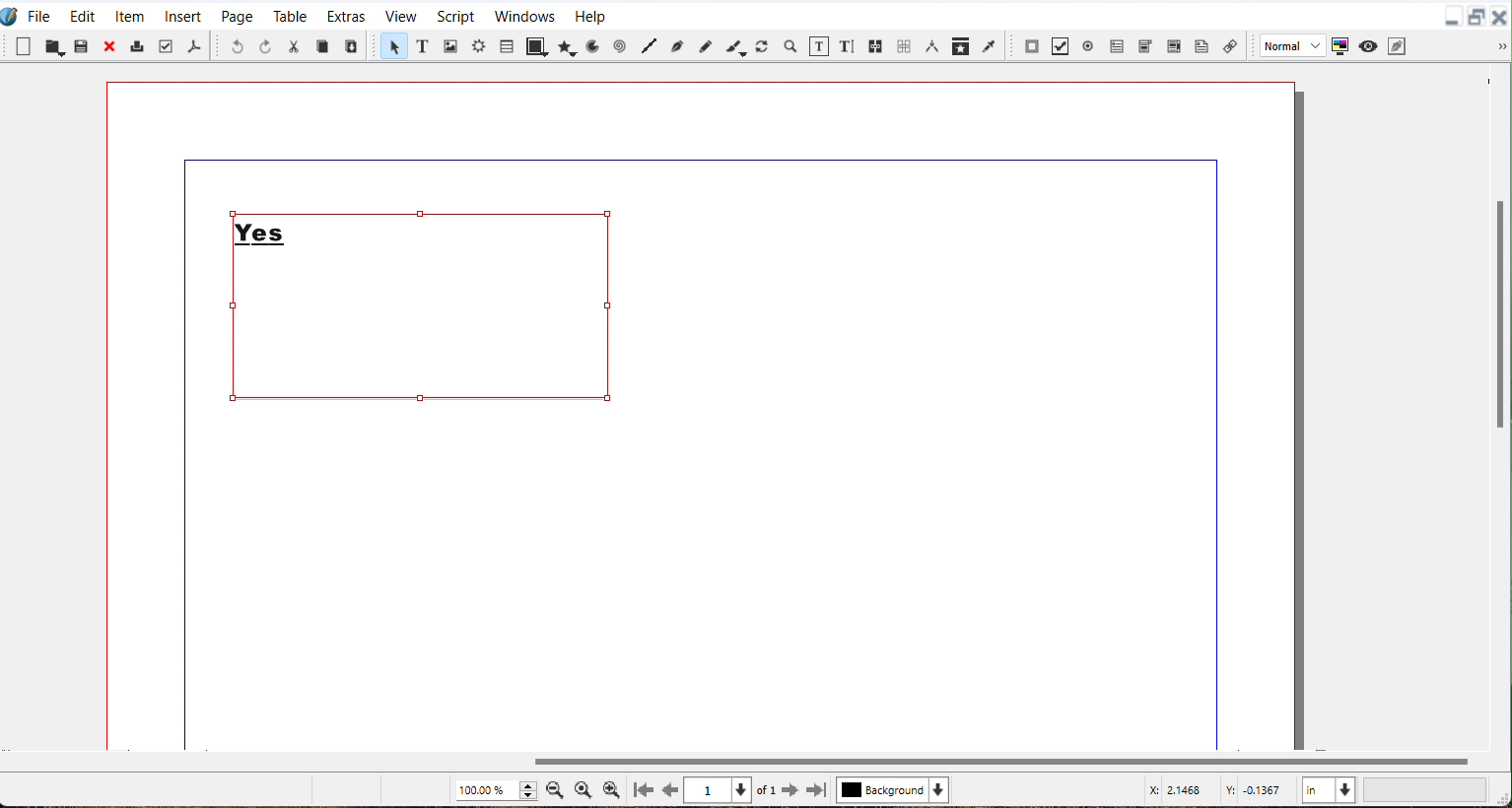  Describe the element at coordinates (130, 14) in the screenshot. I see `Item` at that location.